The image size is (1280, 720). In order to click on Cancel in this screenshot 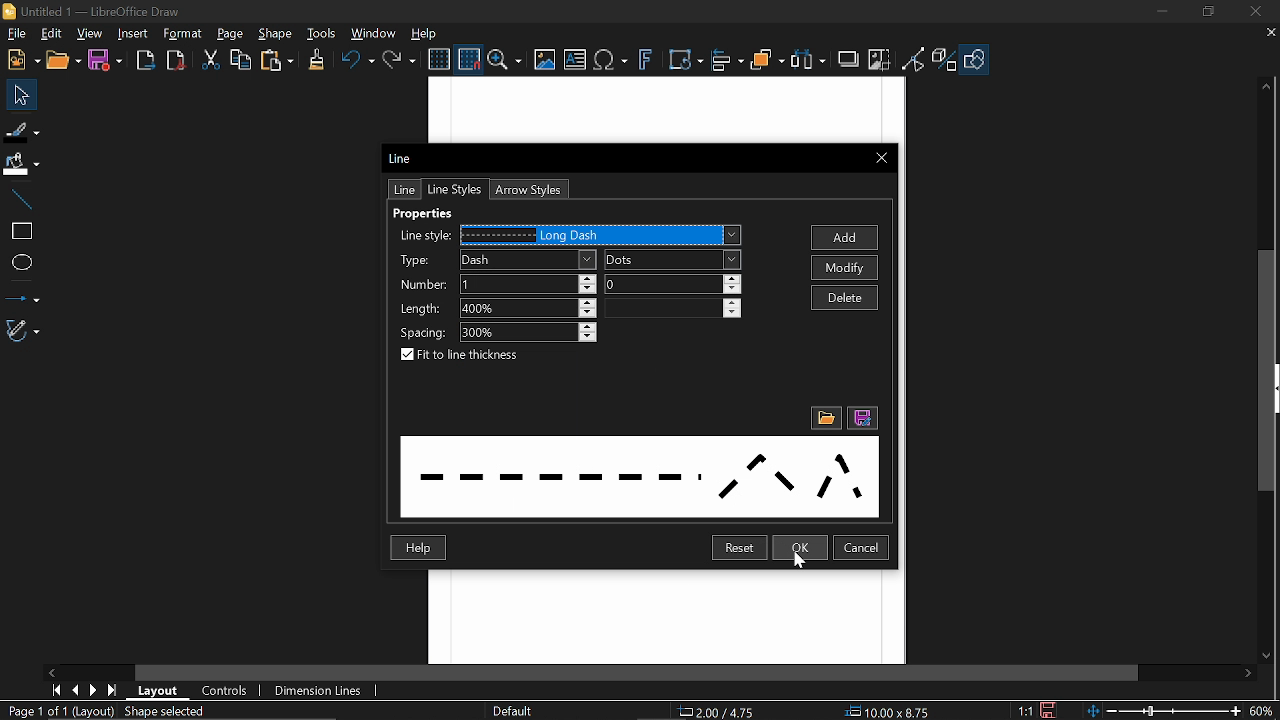, I will do `click(863, 548)`.